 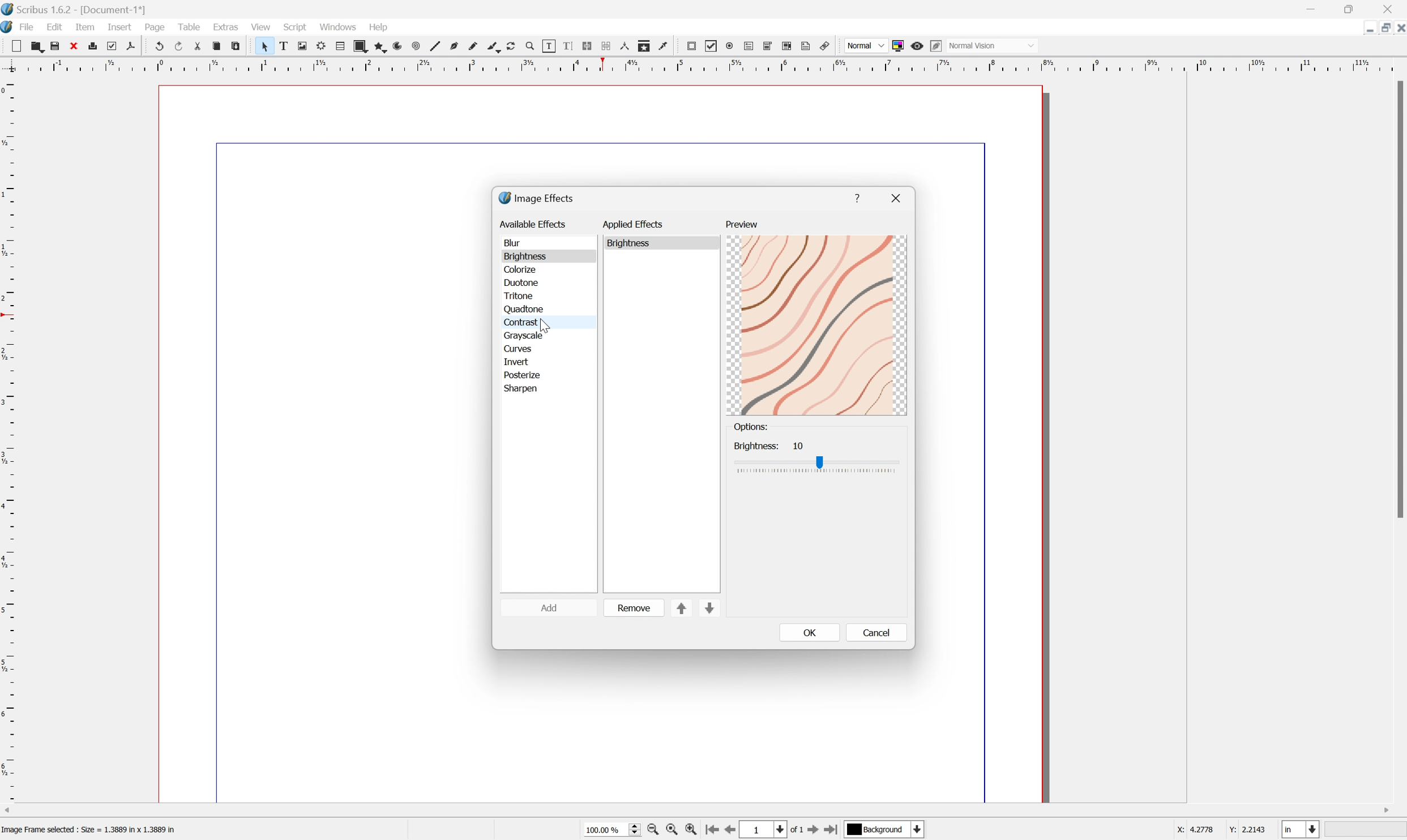 I want to click on Scroll bar, so click(x=1398, y=299).